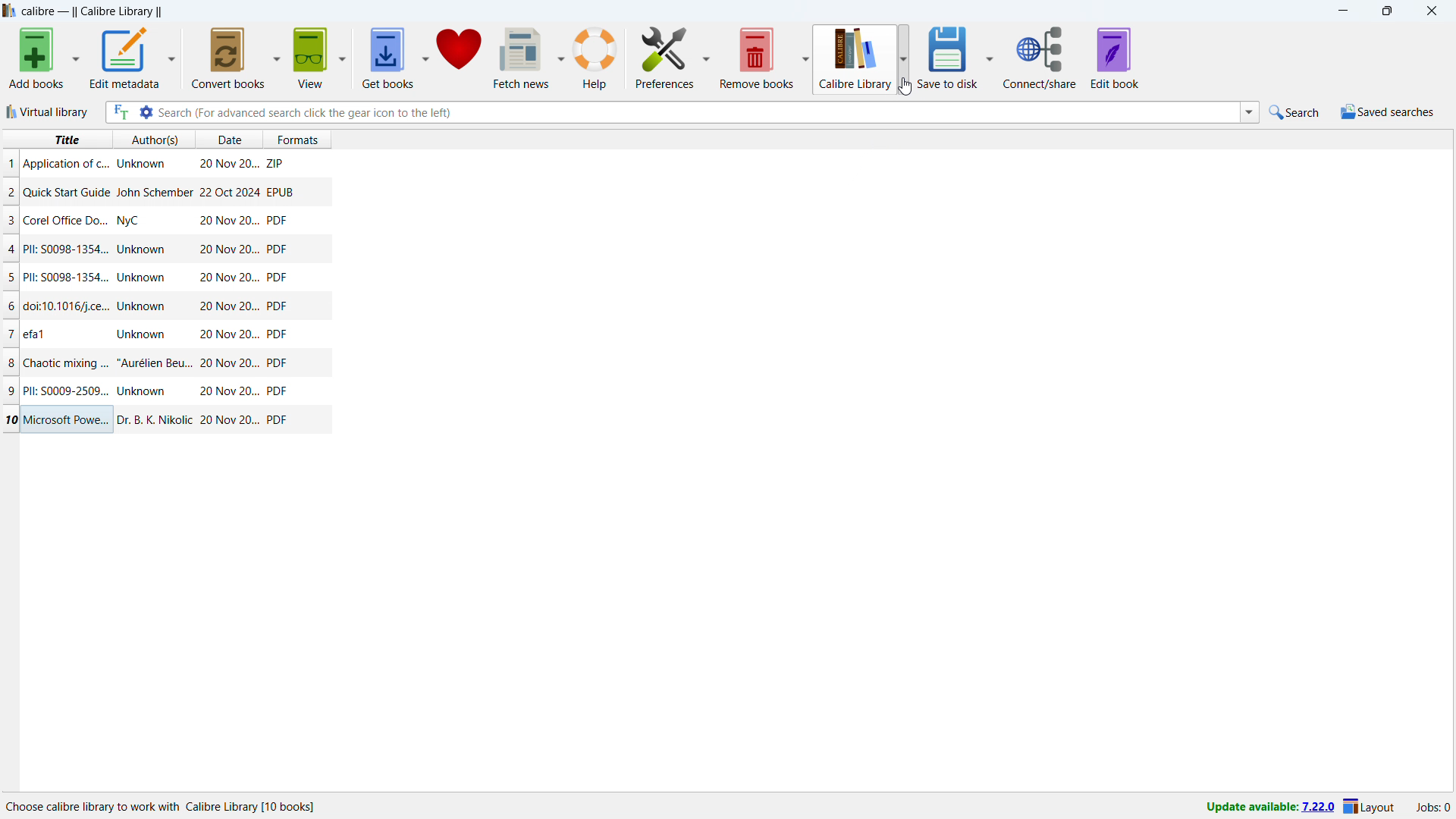 This screenshot has width=1456, height=819. I want to click on preferences options, so click(708, 55).